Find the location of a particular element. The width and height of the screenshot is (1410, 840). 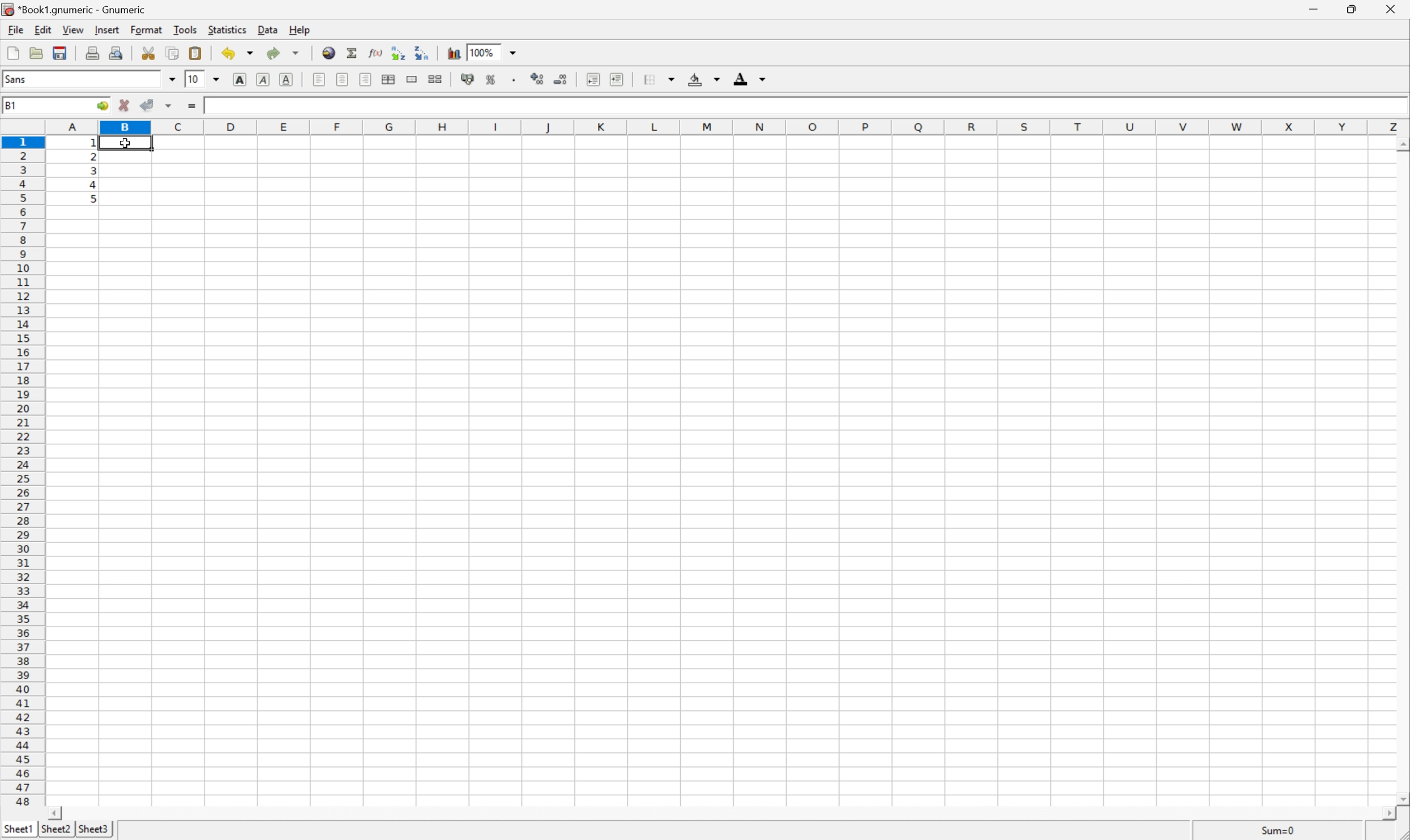

Italic is located at coordinates (261, 80).